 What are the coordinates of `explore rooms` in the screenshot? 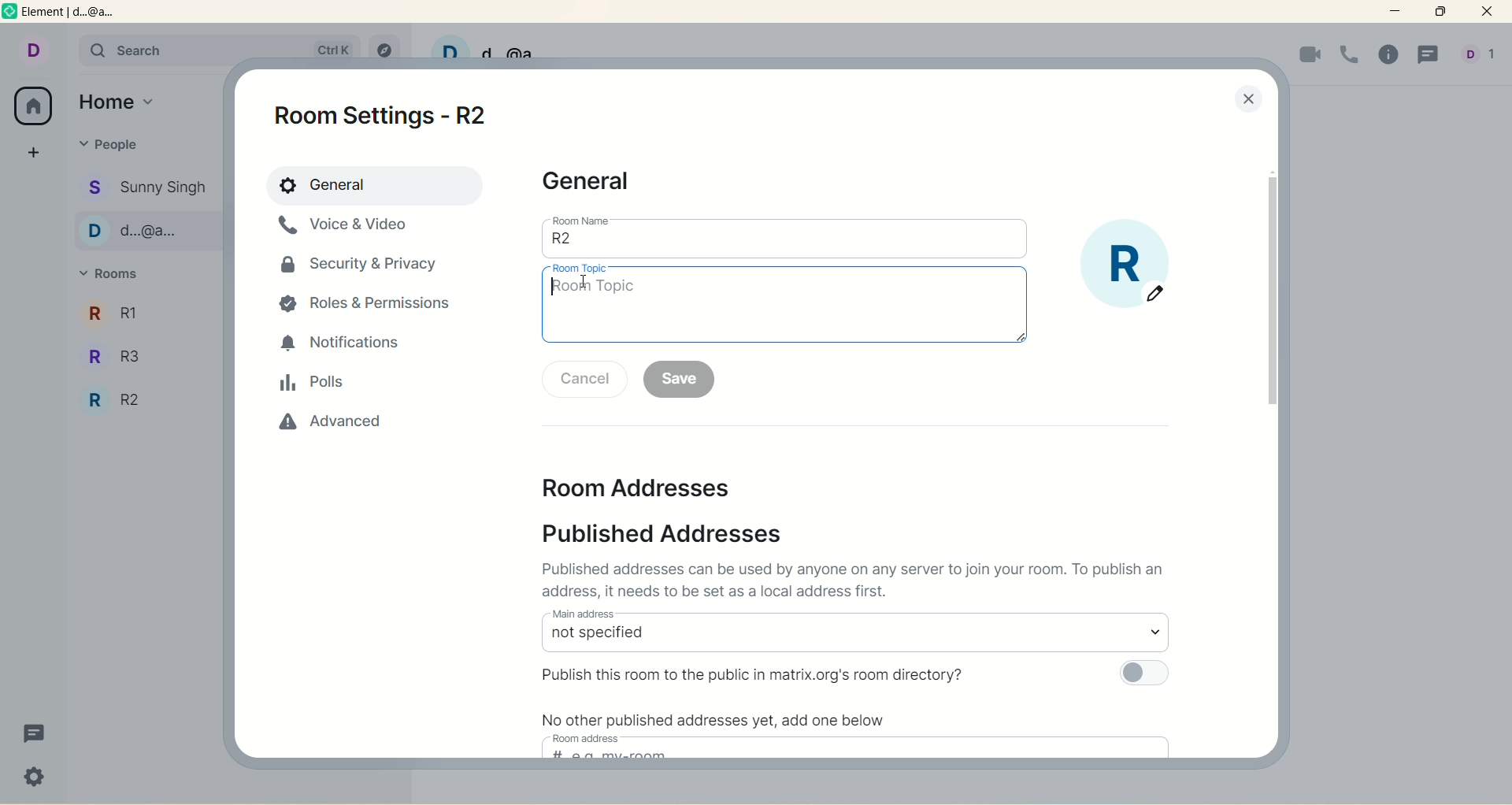 It's located at (382, 45).